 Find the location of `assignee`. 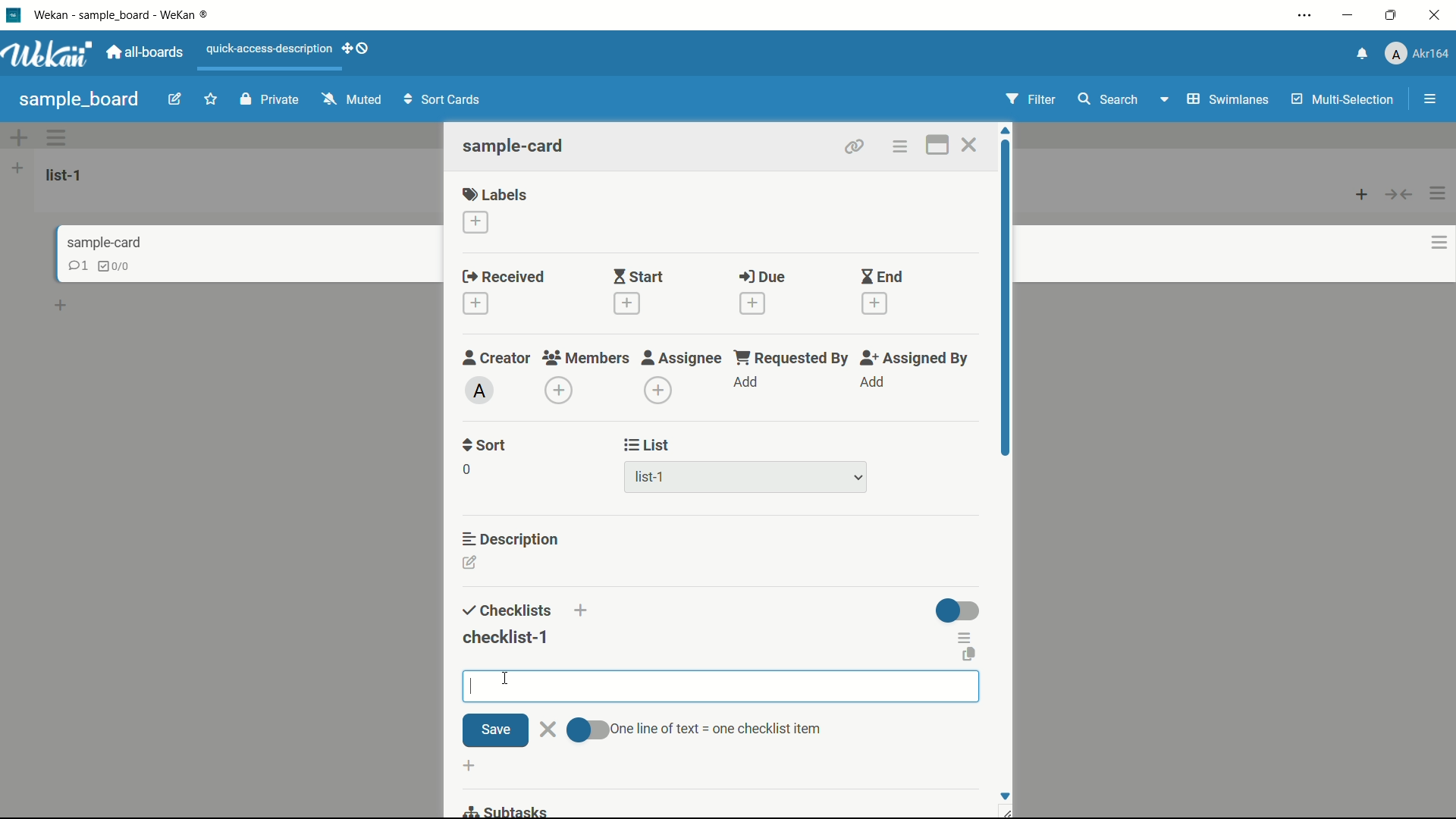

assignee is located at coordinates (682, 359).